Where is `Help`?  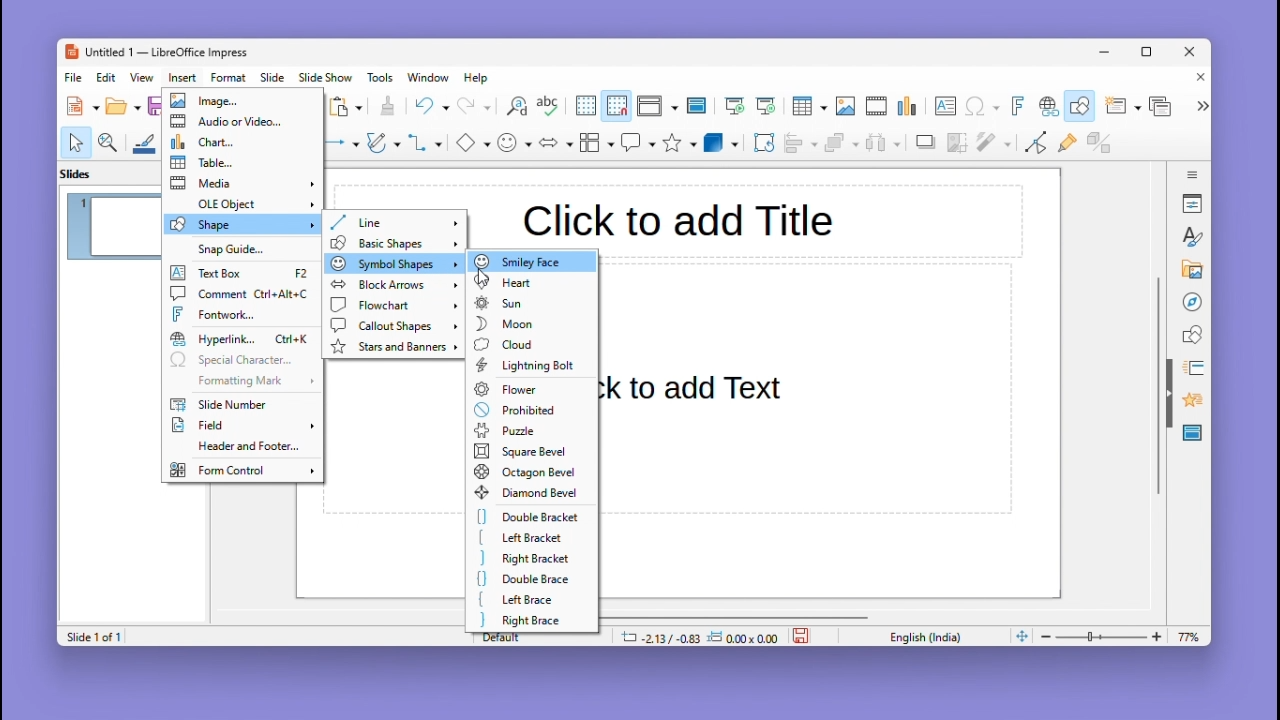
Help is located at coordinates (478, 78).